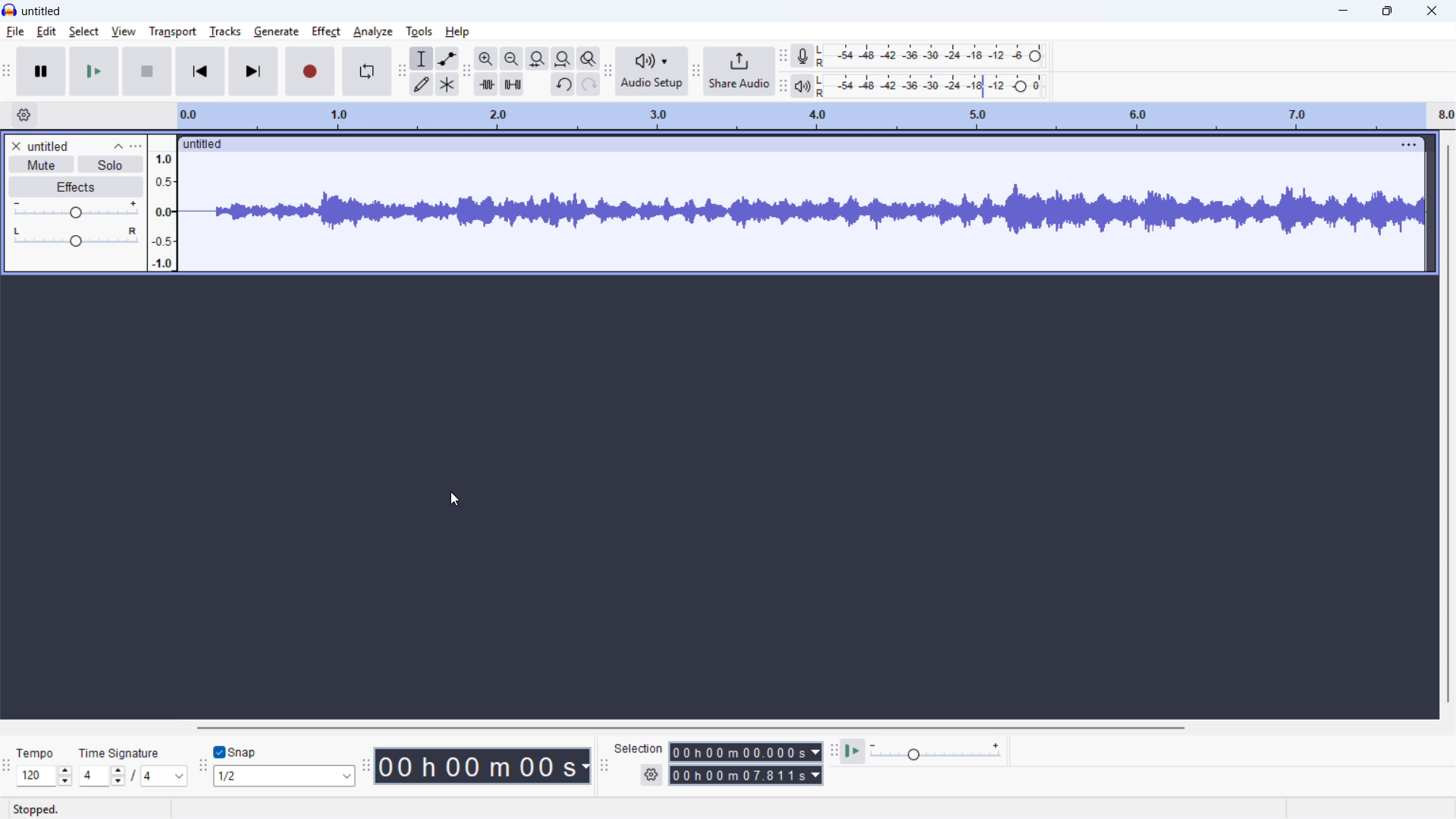 Image resolution: width=1456 pixels, height=819 pixels. What do you see at coordinates (421, 58) in the screenshot?
I see `selection tool` at bounding box center [421, 58].